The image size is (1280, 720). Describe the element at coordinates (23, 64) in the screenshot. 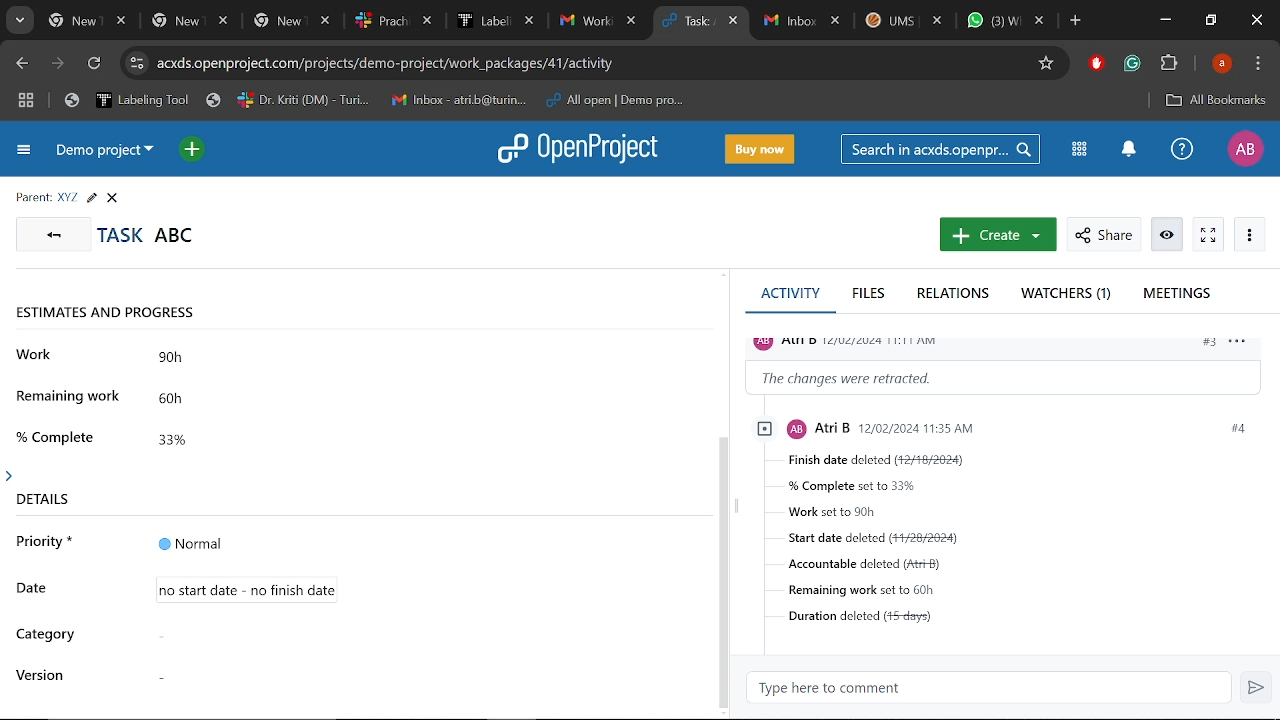

I see `Previous page` at that location.